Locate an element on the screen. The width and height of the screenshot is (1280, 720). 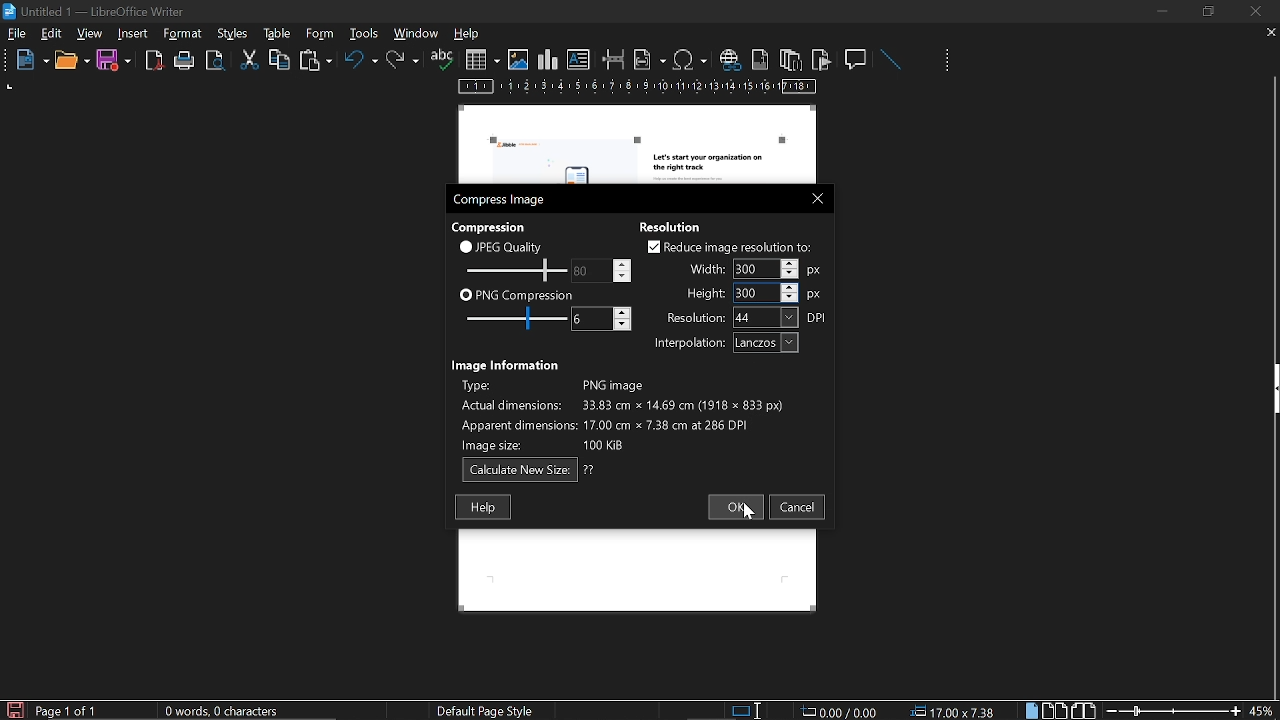
single page view is located at coordinates (1034, 710).